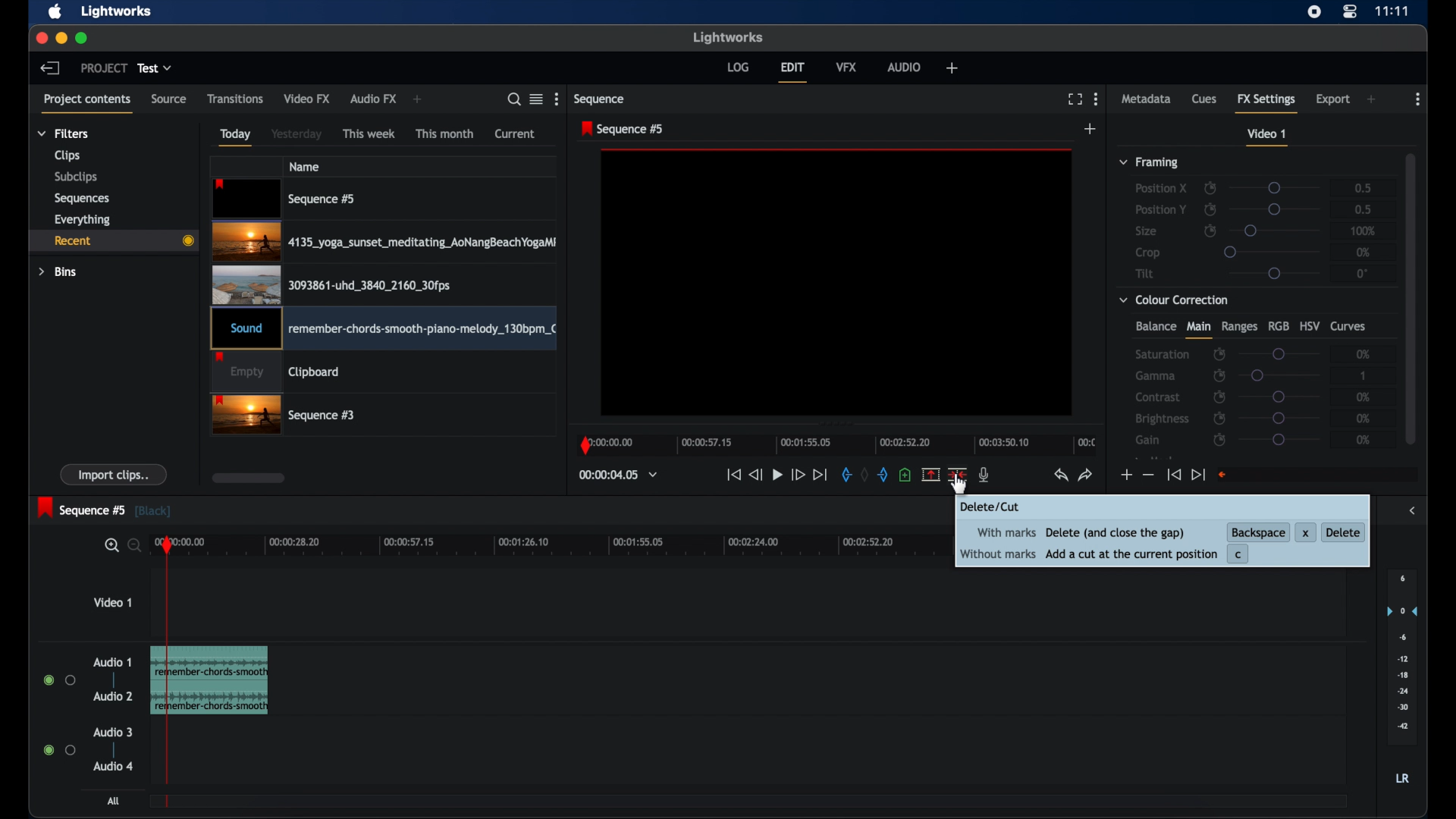  Describe the element at coordinates (331, 284) in the screenshot. I see `video clip` at that location.